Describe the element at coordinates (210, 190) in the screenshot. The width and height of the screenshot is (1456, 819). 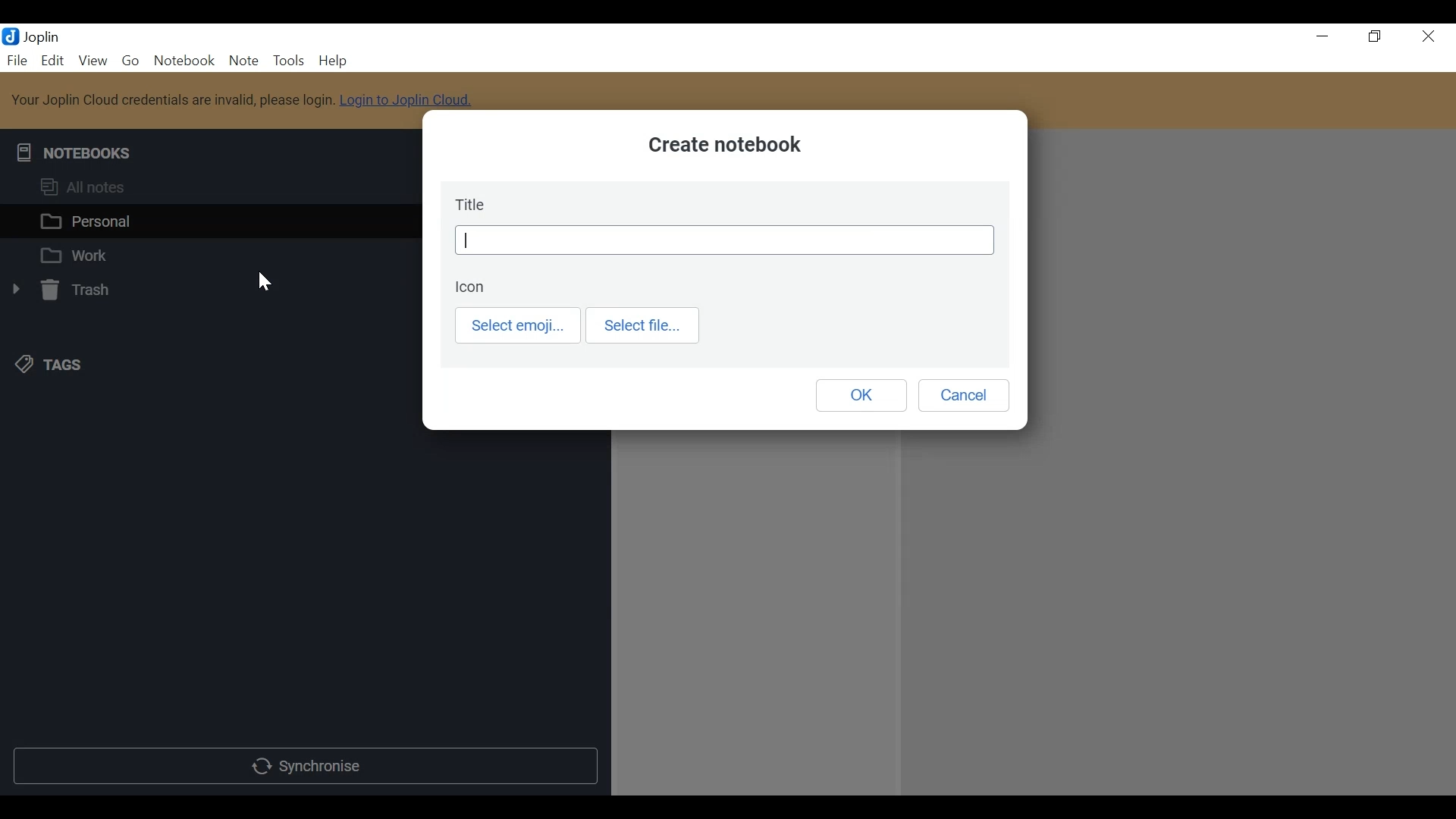
I see `All Notes` at that location.